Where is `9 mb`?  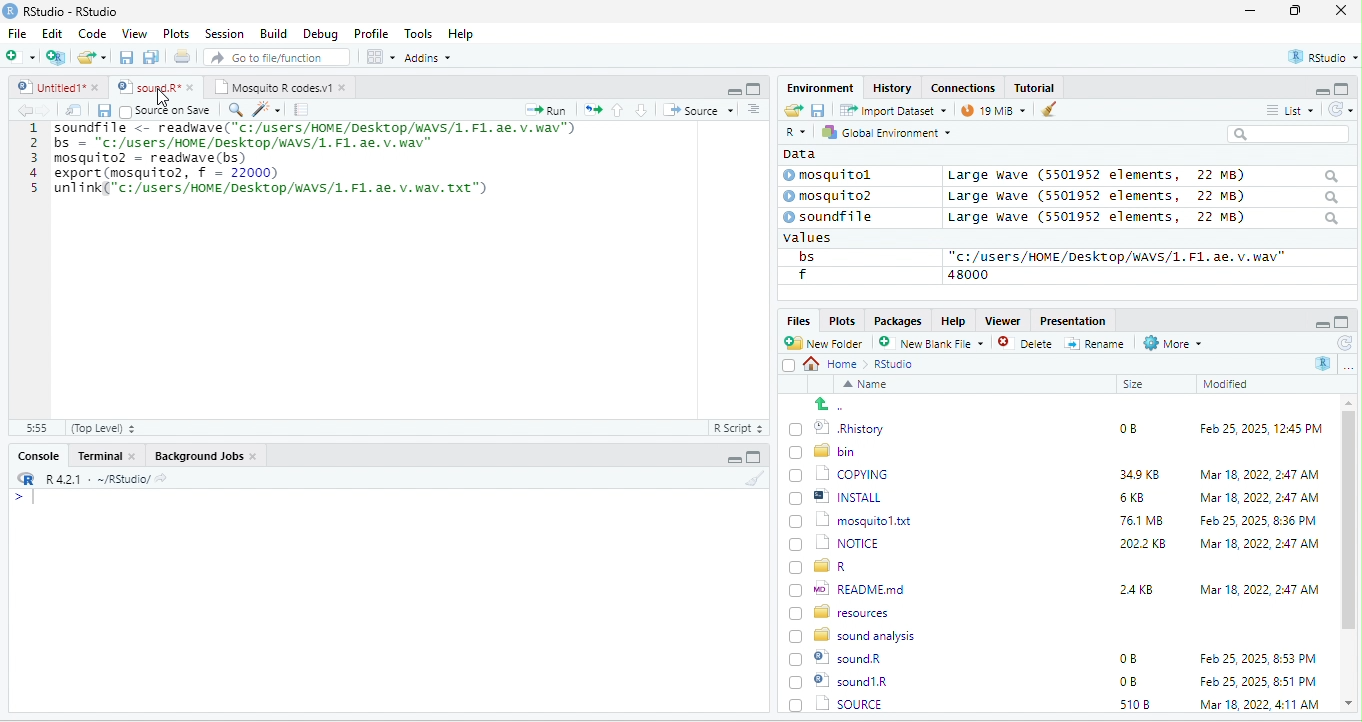 9 mb is located at coordinates (993, 112).